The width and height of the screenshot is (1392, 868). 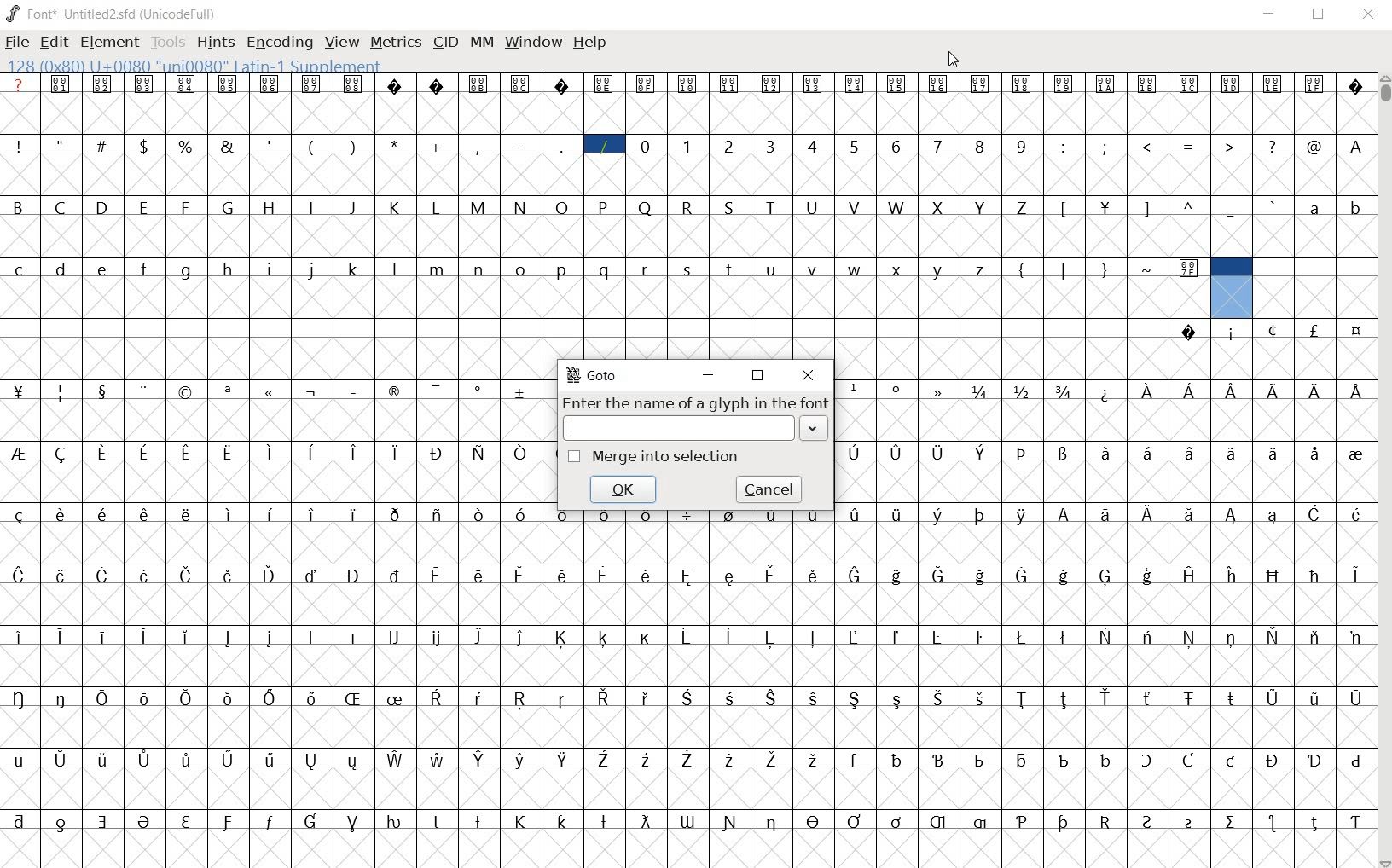 What do you see at coordinates (981, 205) in the screenshot?
I see `Y` at bounding box center [981, 205].